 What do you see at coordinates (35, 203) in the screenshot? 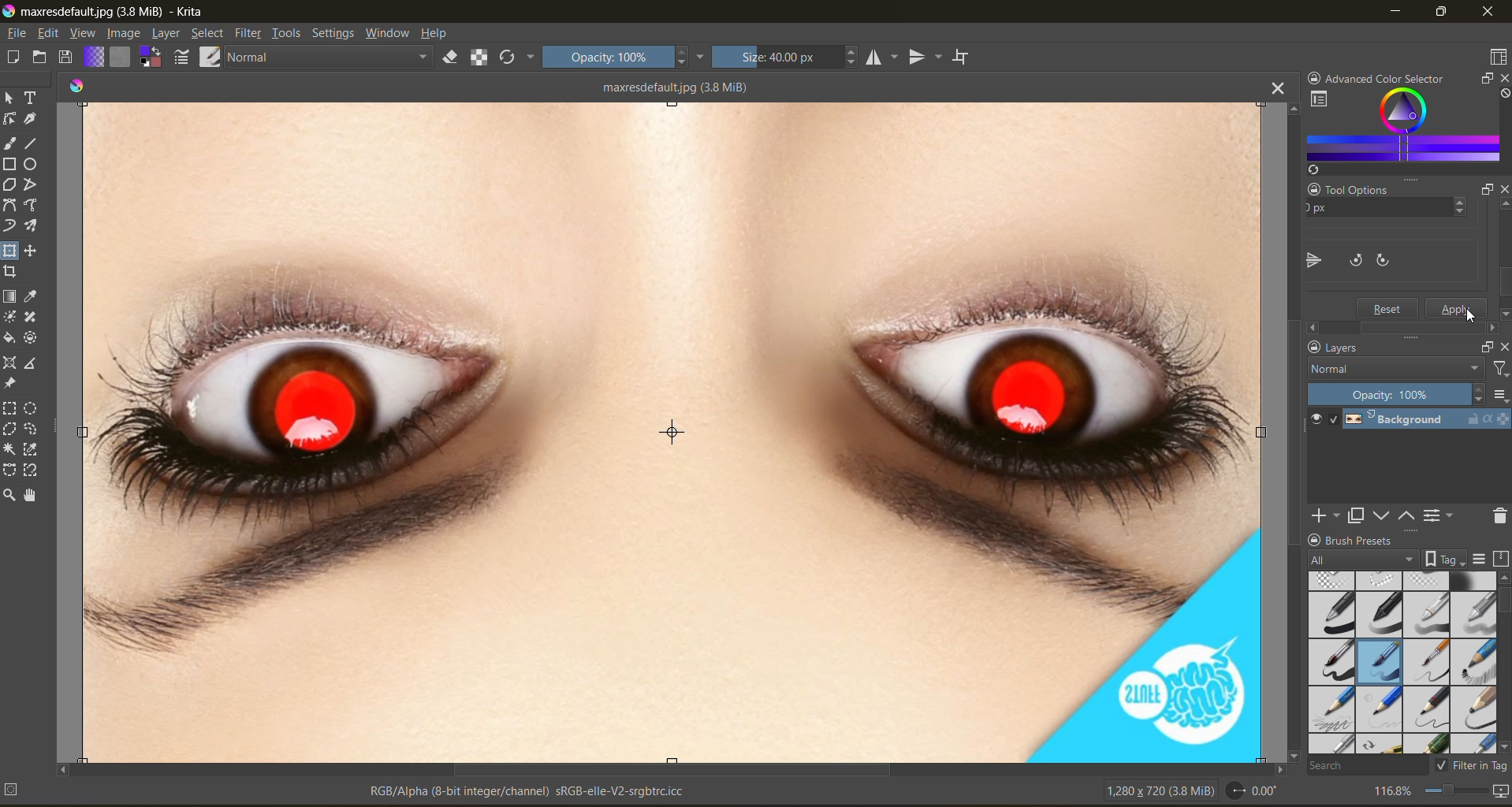
I see `tool` at bounding box center [35, 203].